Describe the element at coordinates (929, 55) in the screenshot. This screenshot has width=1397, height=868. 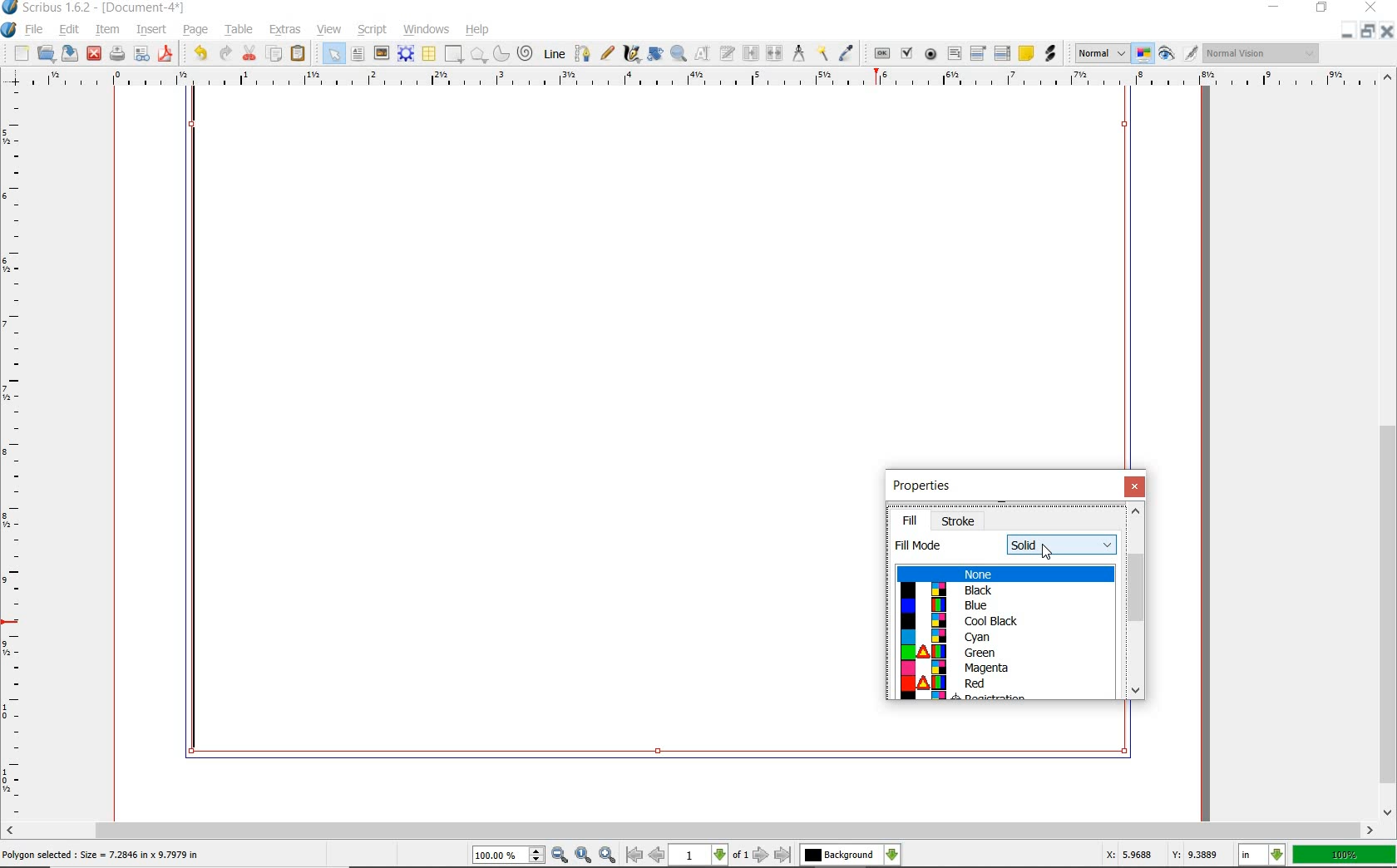
I see `pdf radio button` at that location.